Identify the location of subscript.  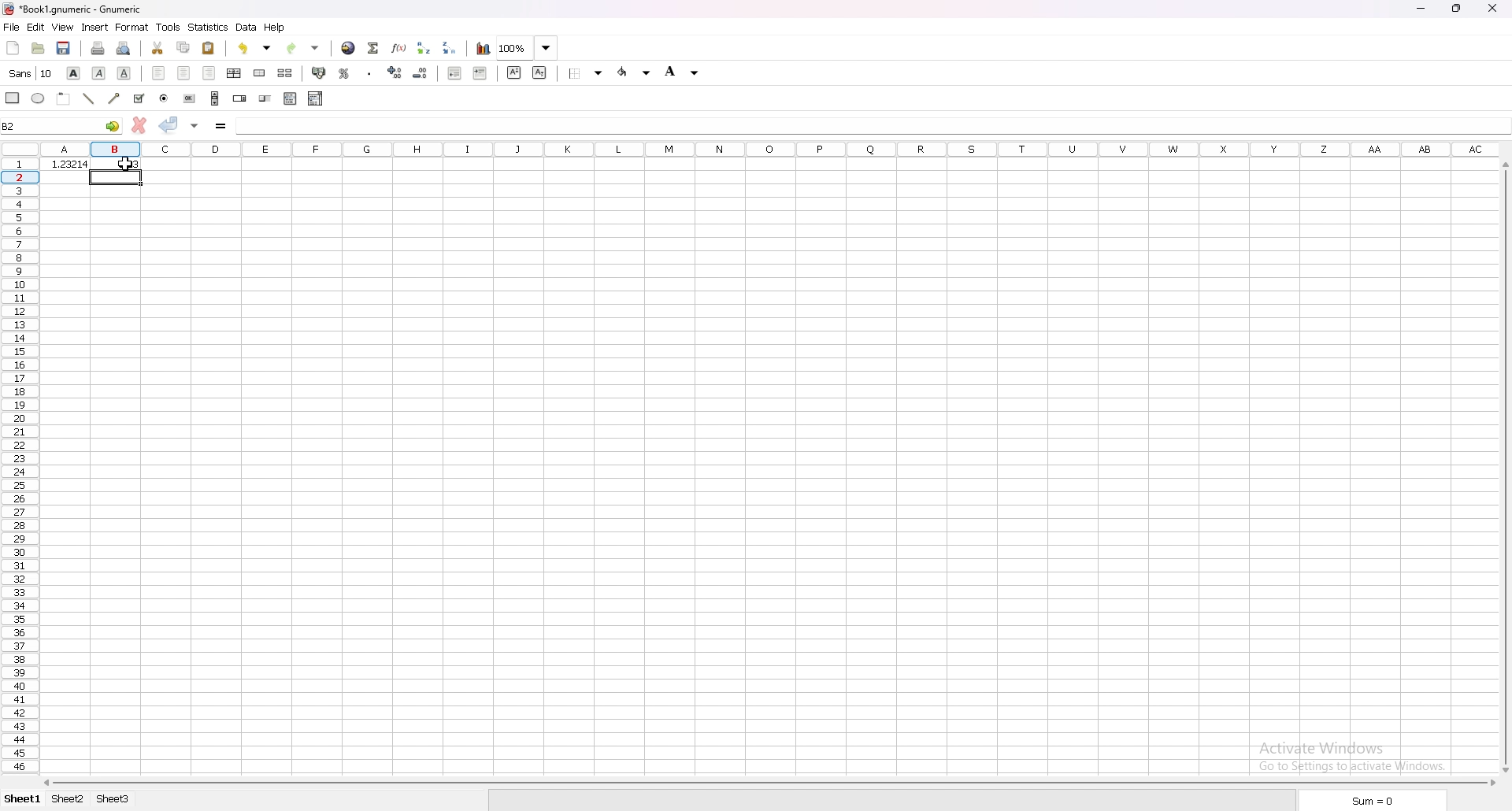
(539, 72).